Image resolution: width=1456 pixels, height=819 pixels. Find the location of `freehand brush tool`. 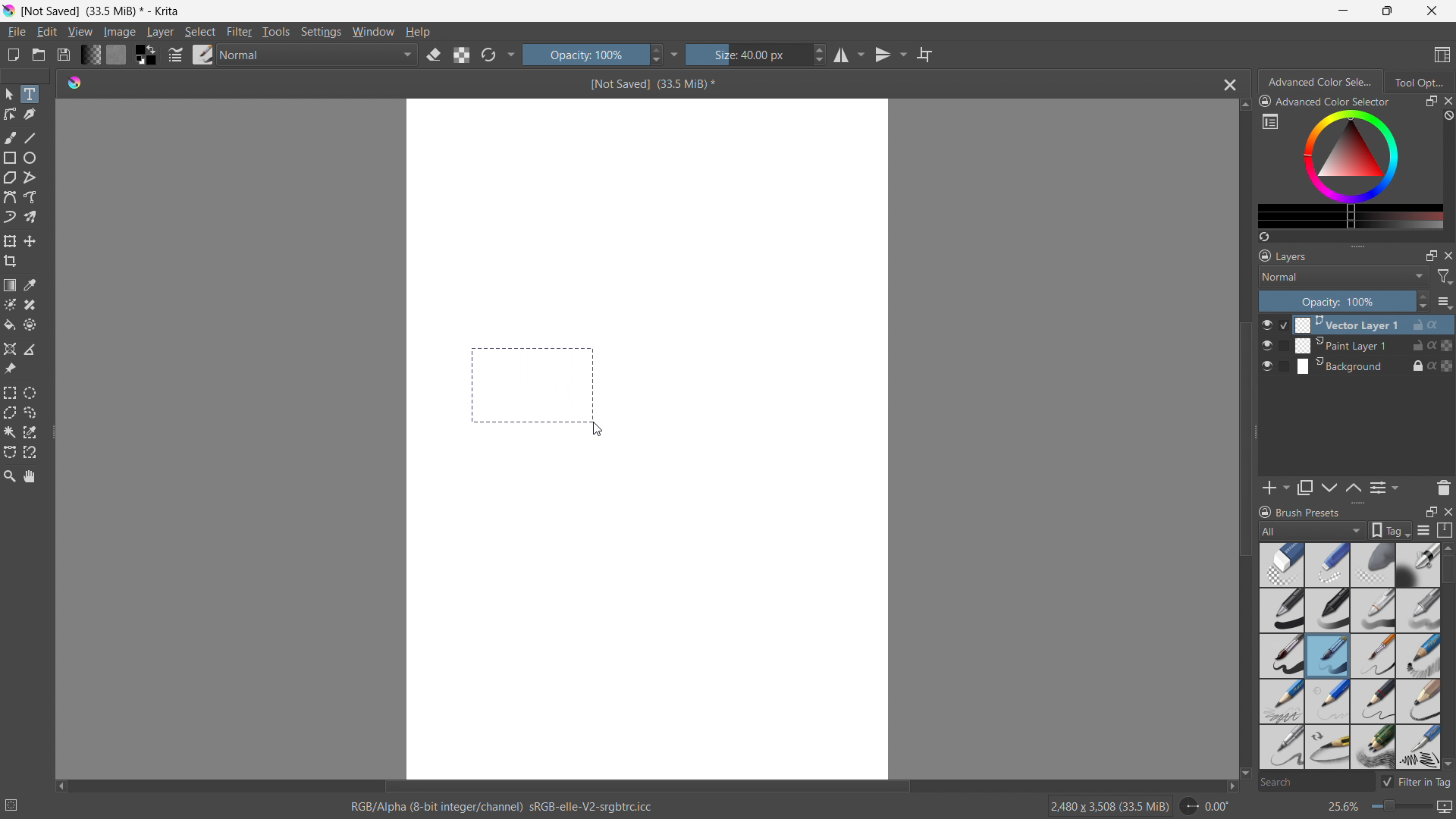

freehand brush tool is located at coordinates (11, 137).